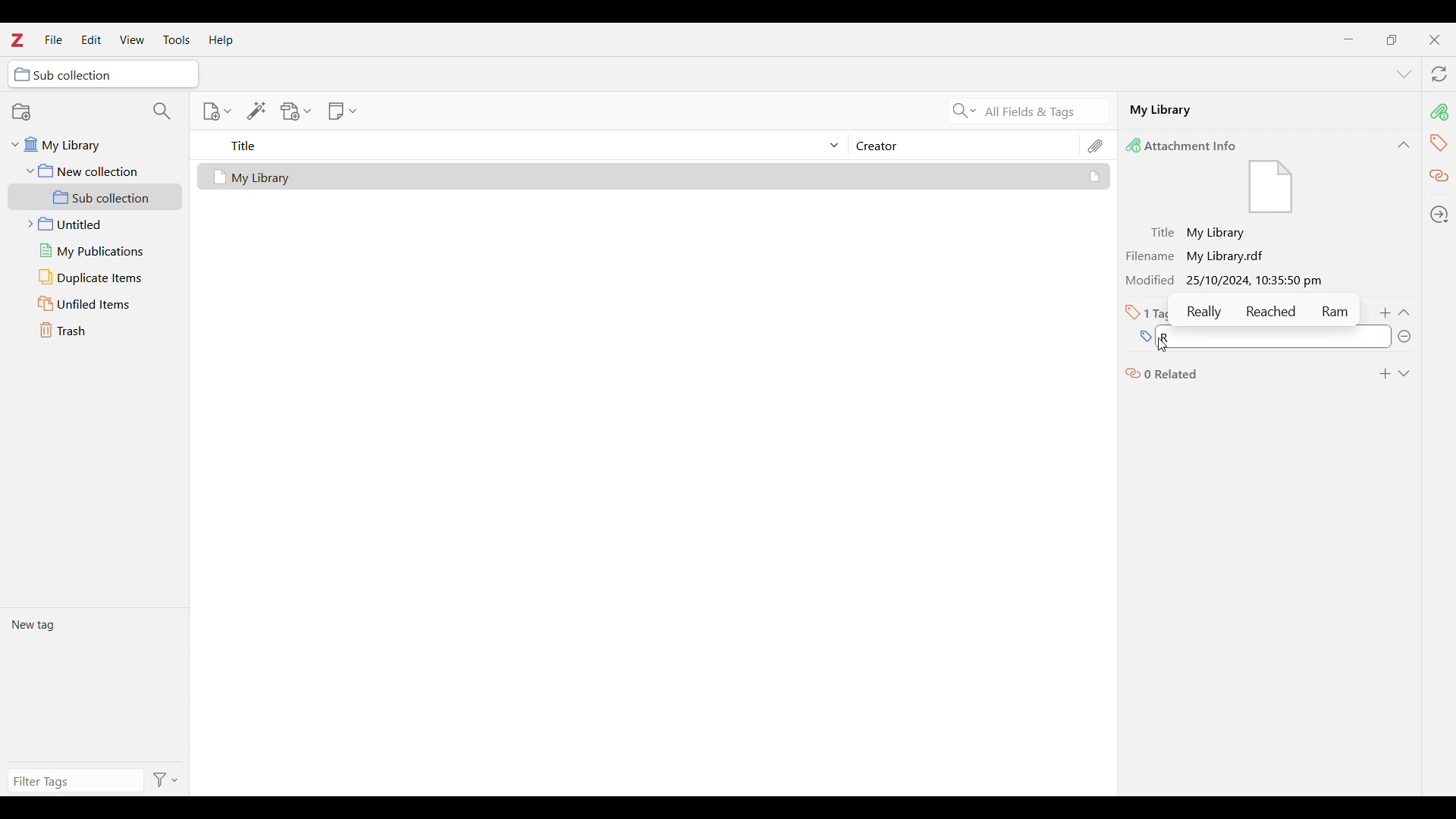 Image resolution: width=1456 pixels, height=819 pixels. What do you see at coordinates (1404, 312) in the screenshot?
I see `Collapse` at bounding box center [1404, 312].